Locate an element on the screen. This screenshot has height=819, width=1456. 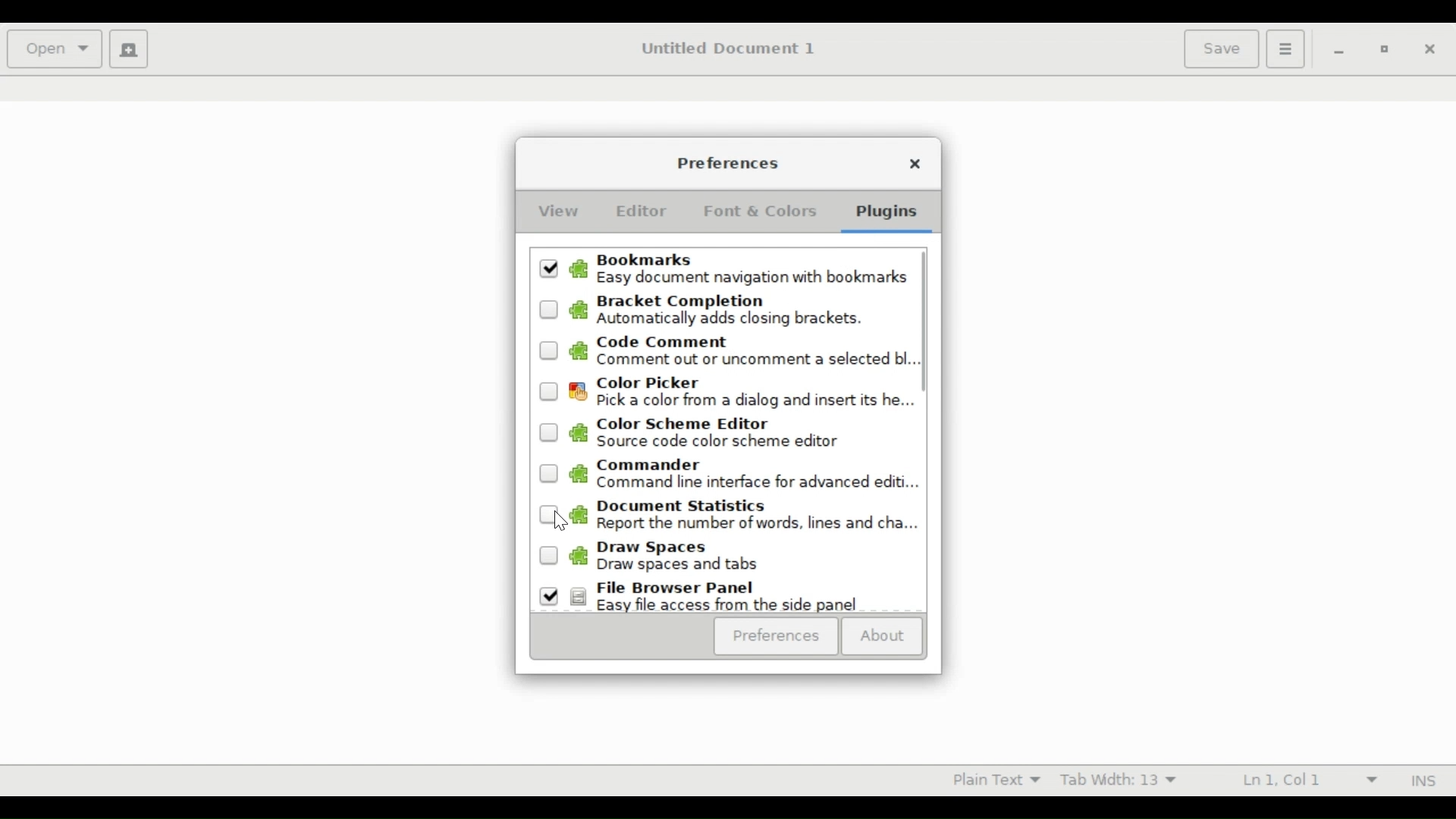
Unselected is located at coordinates (549, 475).